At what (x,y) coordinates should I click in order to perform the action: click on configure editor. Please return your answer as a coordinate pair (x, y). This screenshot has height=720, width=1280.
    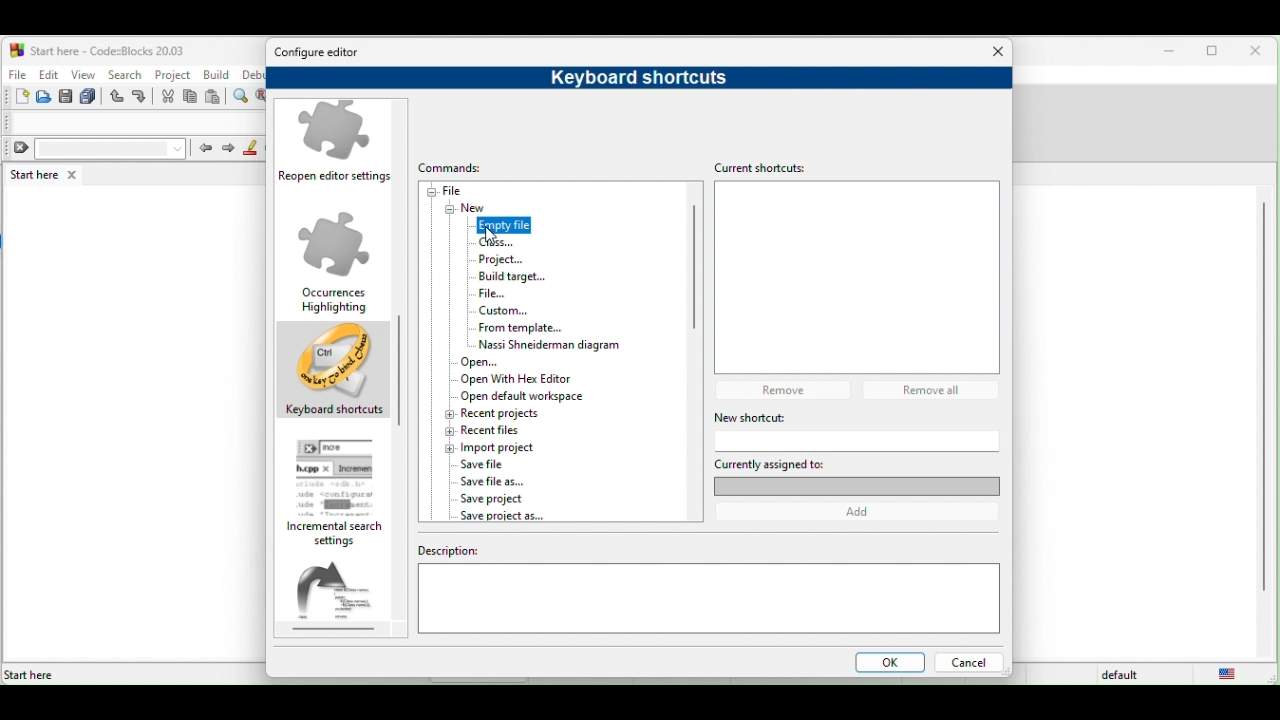
    Looking at the image, I should click on (323, 53).